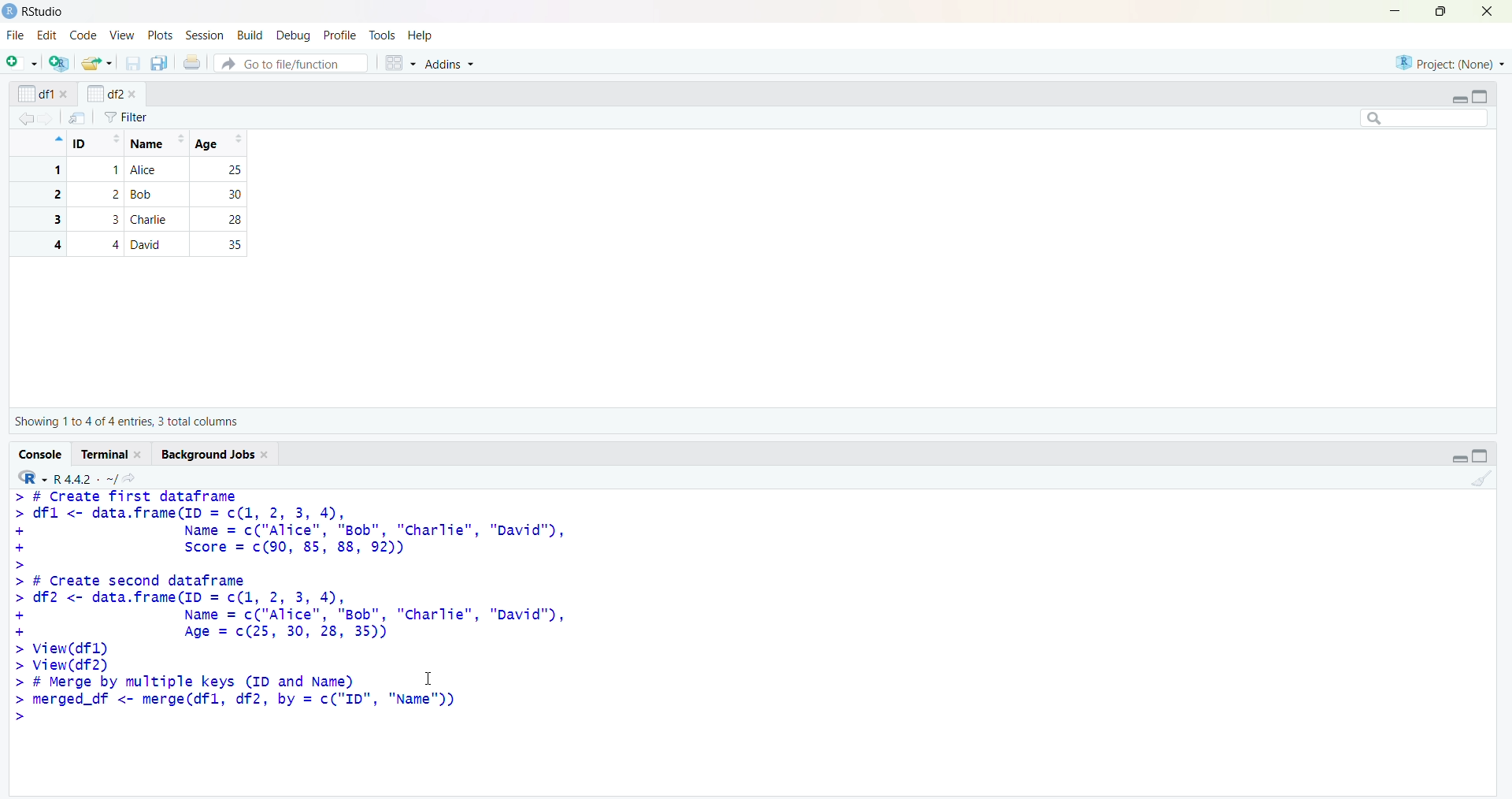  I want to click on age, so click(222, 143).